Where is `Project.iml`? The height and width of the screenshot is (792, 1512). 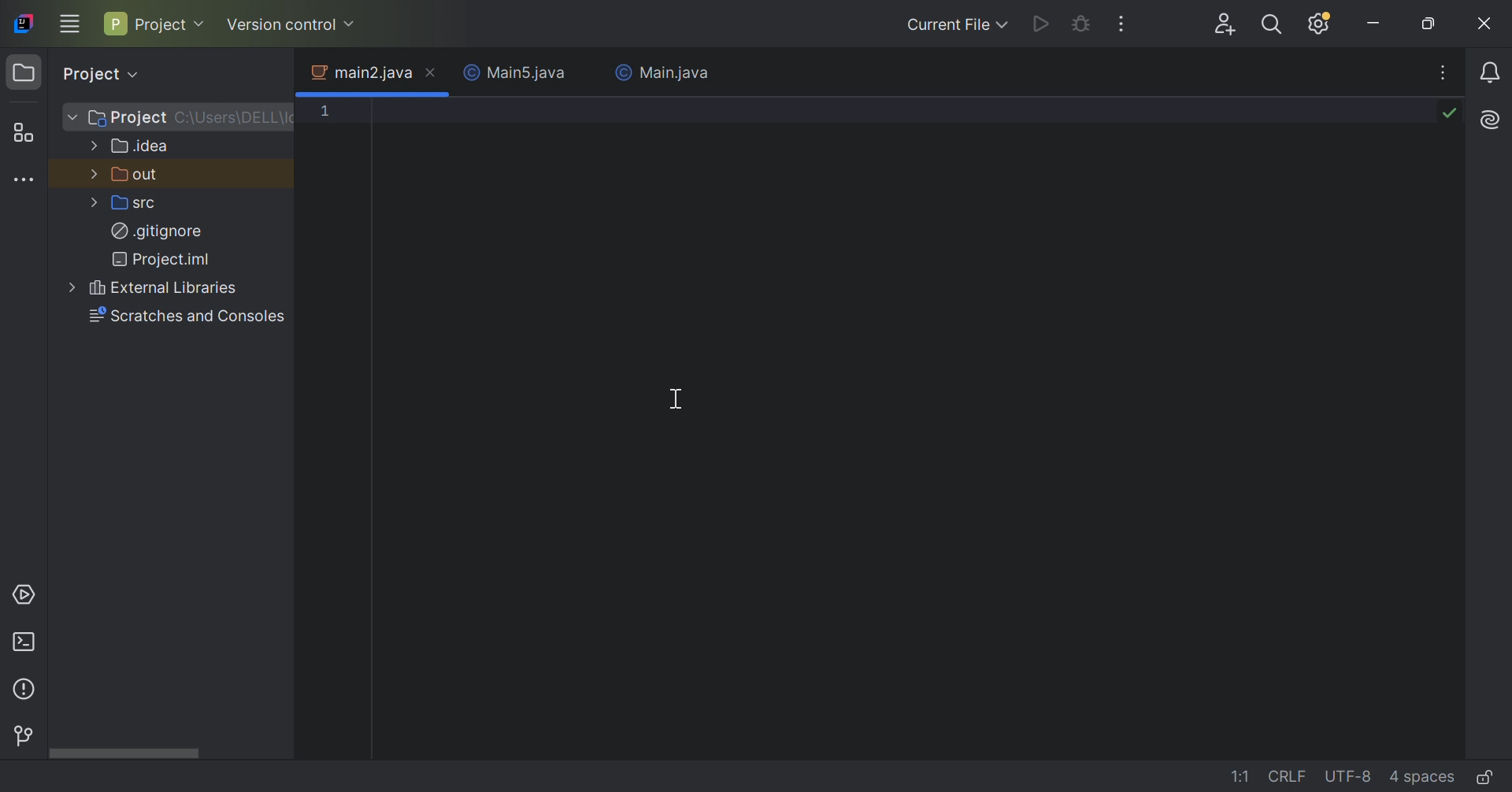 Project.iml is located at coordinates (163, 257).